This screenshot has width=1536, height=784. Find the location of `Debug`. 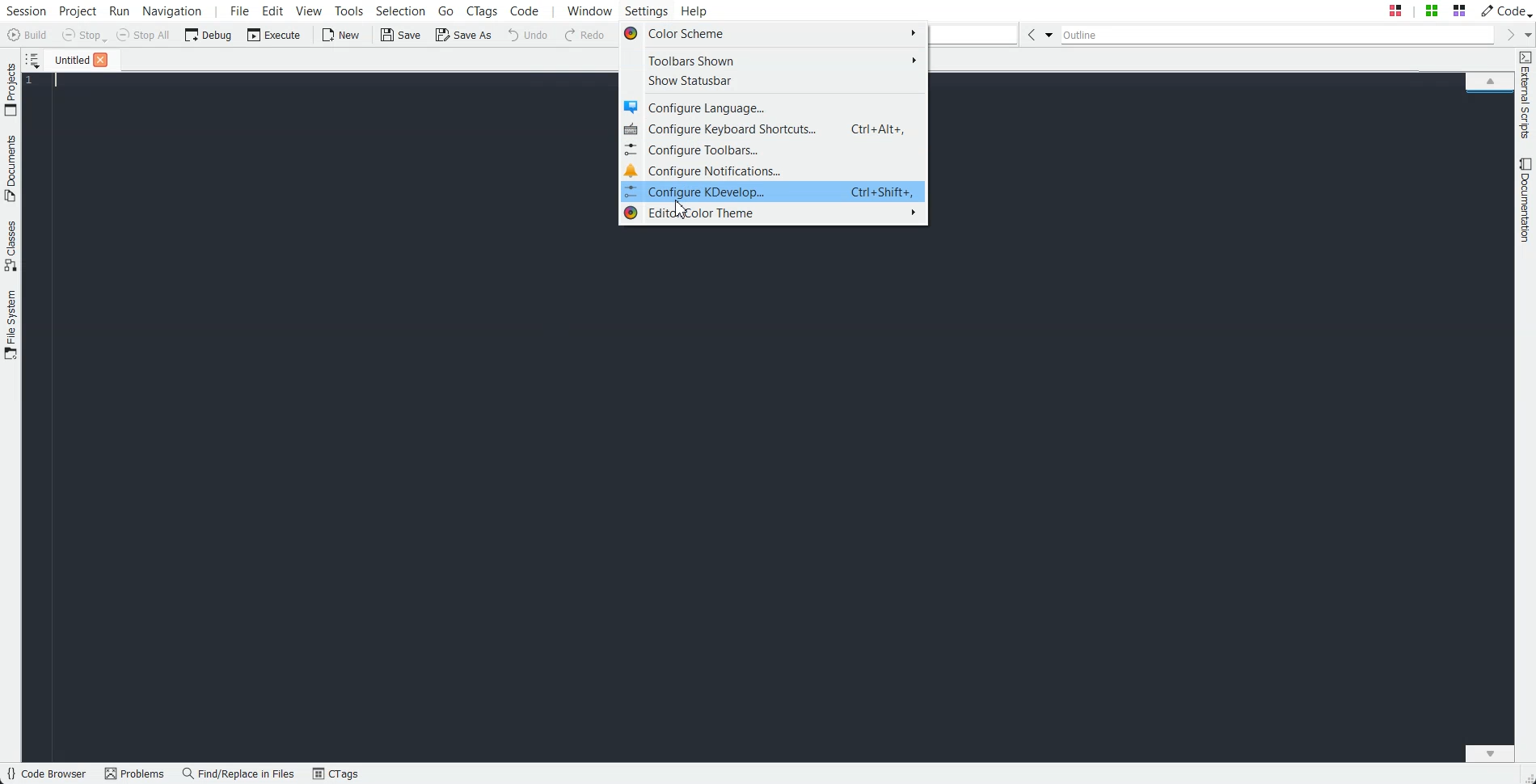

Debug is located at coordinates (209, 34).